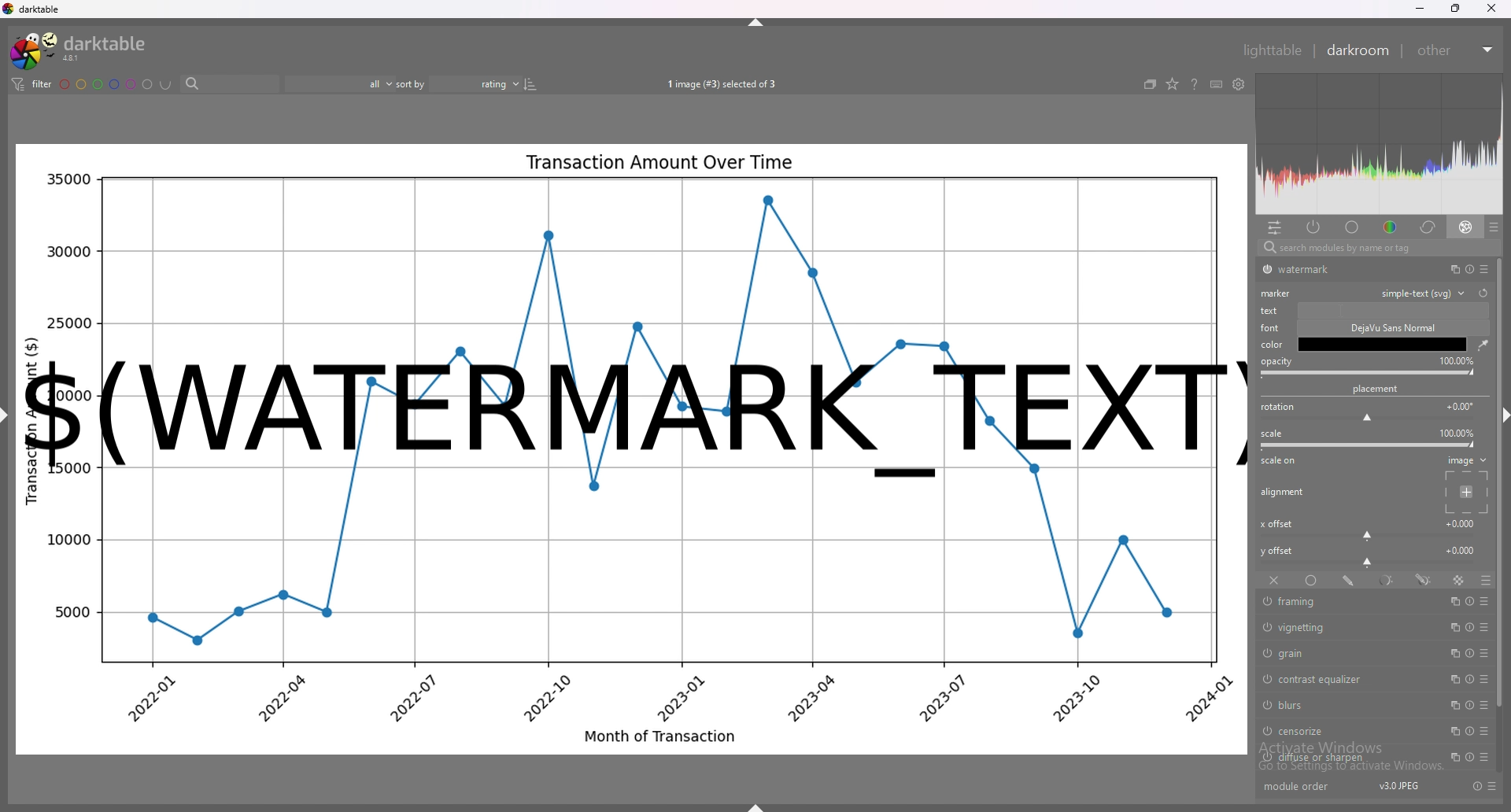 The width and height of the screenshot is (1511, 812). Describe the element at coordinates (1270, 49) in the screenshot. I see `lighttable` at that location.